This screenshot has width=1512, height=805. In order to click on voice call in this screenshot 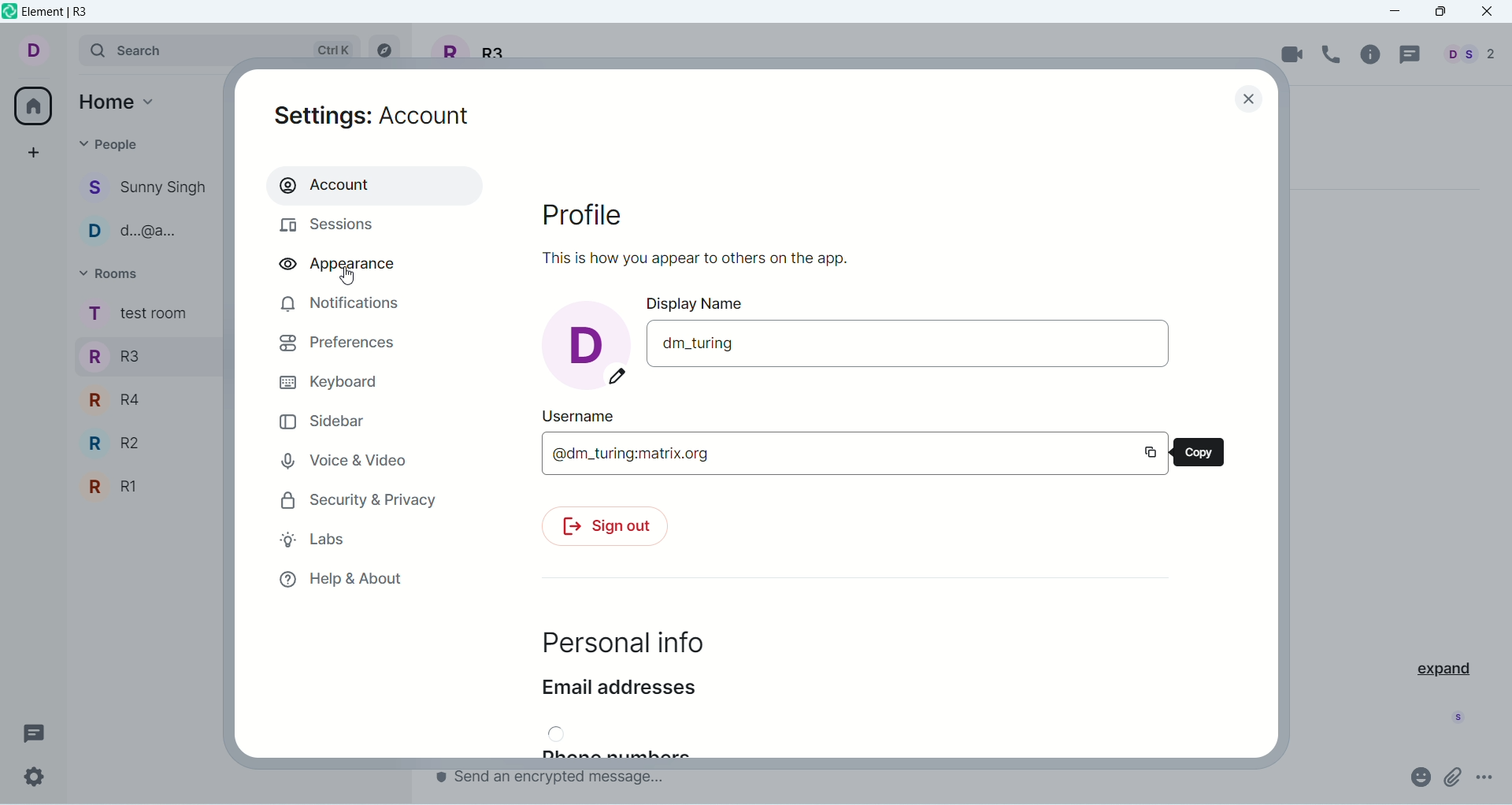, I will do `click(1335, 54)`.